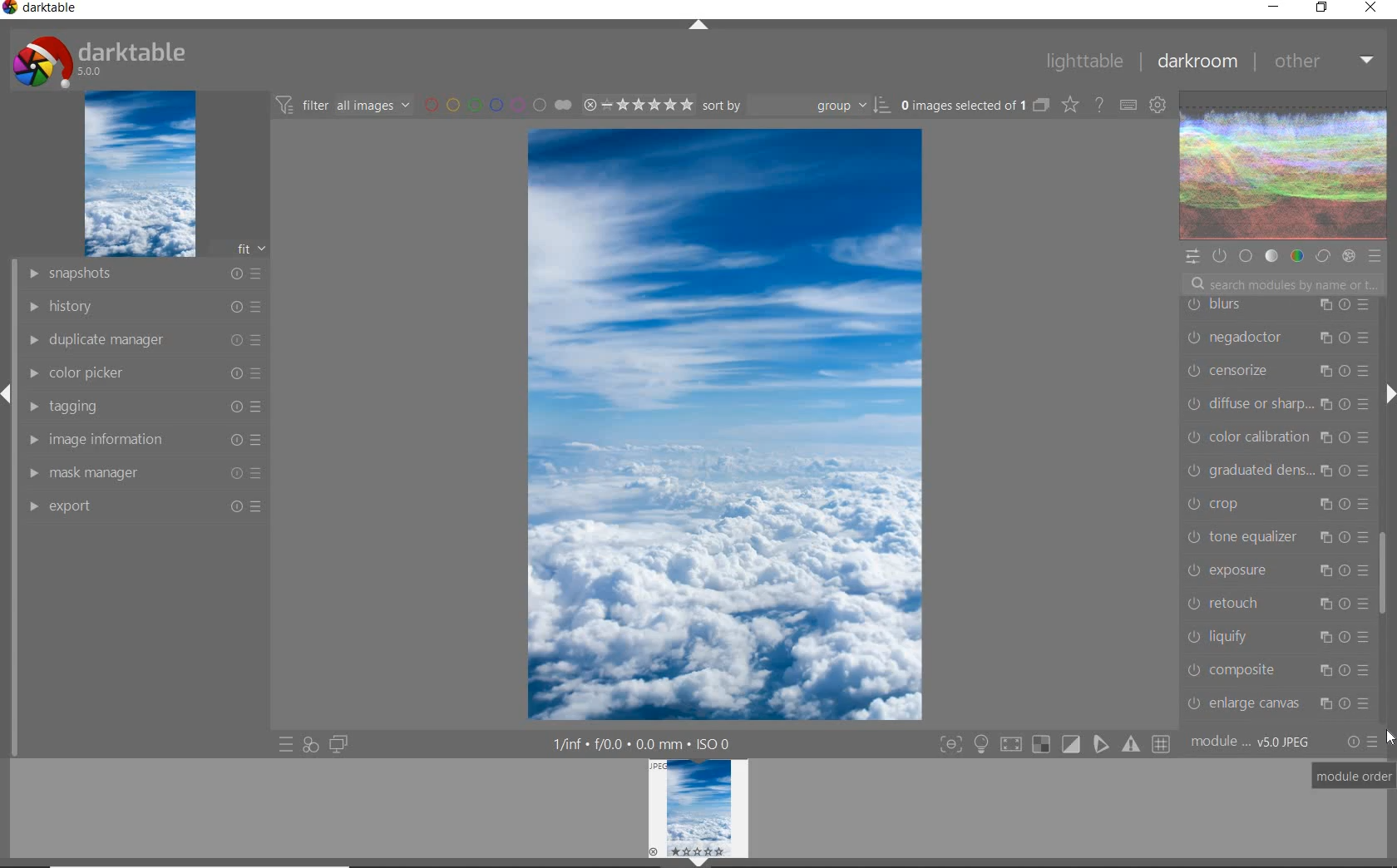  What do you see at coordinates (698, 807) in the screenshot?
I see `IMAGE PREVIEW` at bounding box center [698, 807].